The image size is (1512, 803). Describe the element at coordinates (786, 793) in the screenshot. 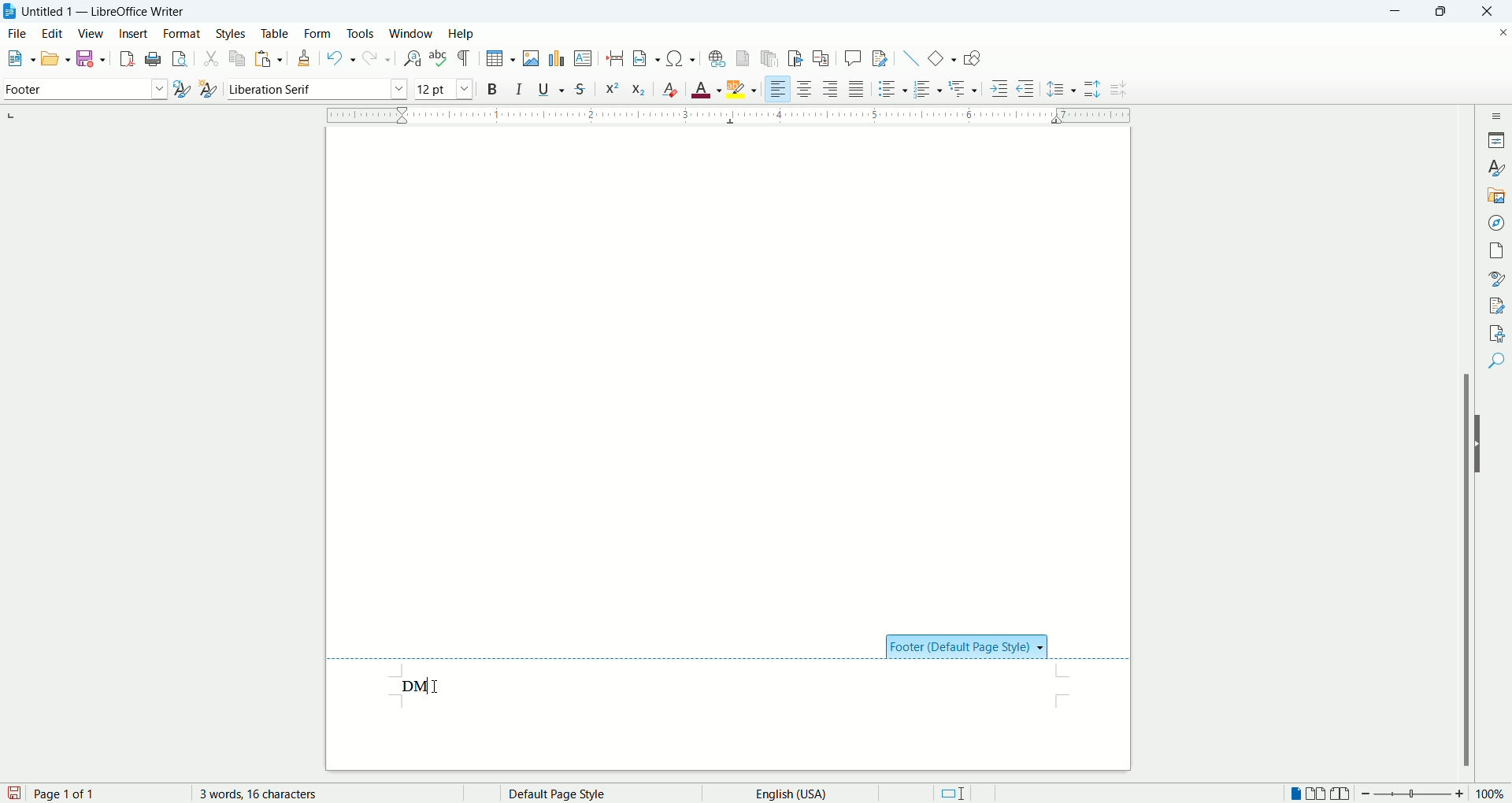

I see `text language` at that location.